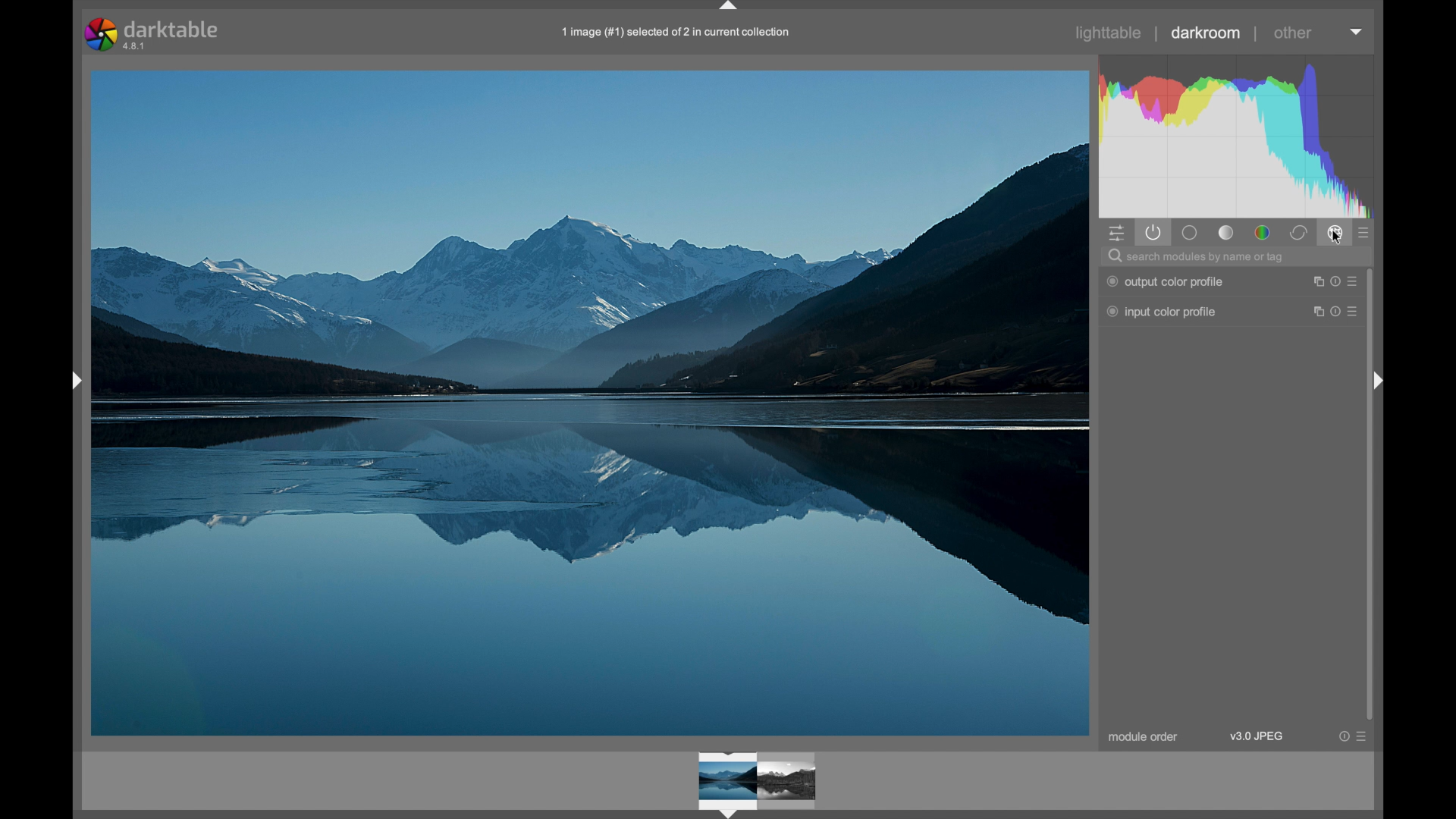 The height and width of the screenshot is (819, 1456). Describe the element at coordinates (1164, 312) in the screenshot. I see `inputcolor profile` at that location.